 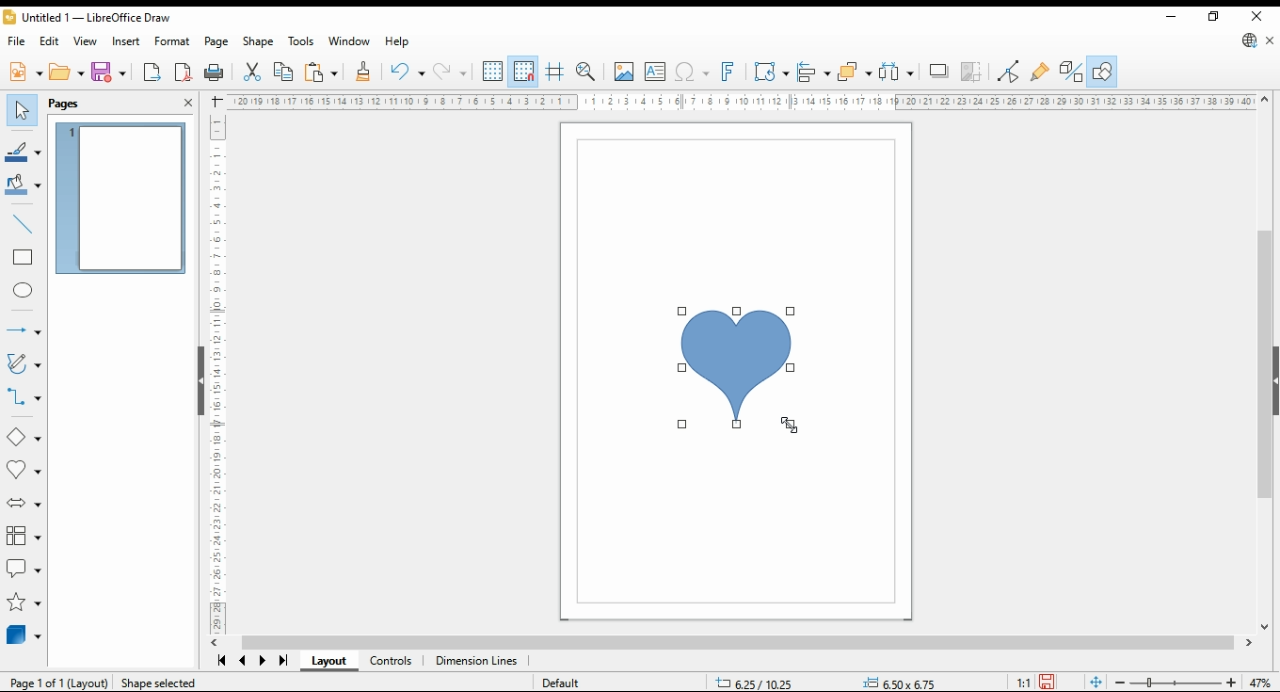 What do you see at coordinates (123, 198) in the screenshot?
I see `page 1` at bounding box center [123, 198].